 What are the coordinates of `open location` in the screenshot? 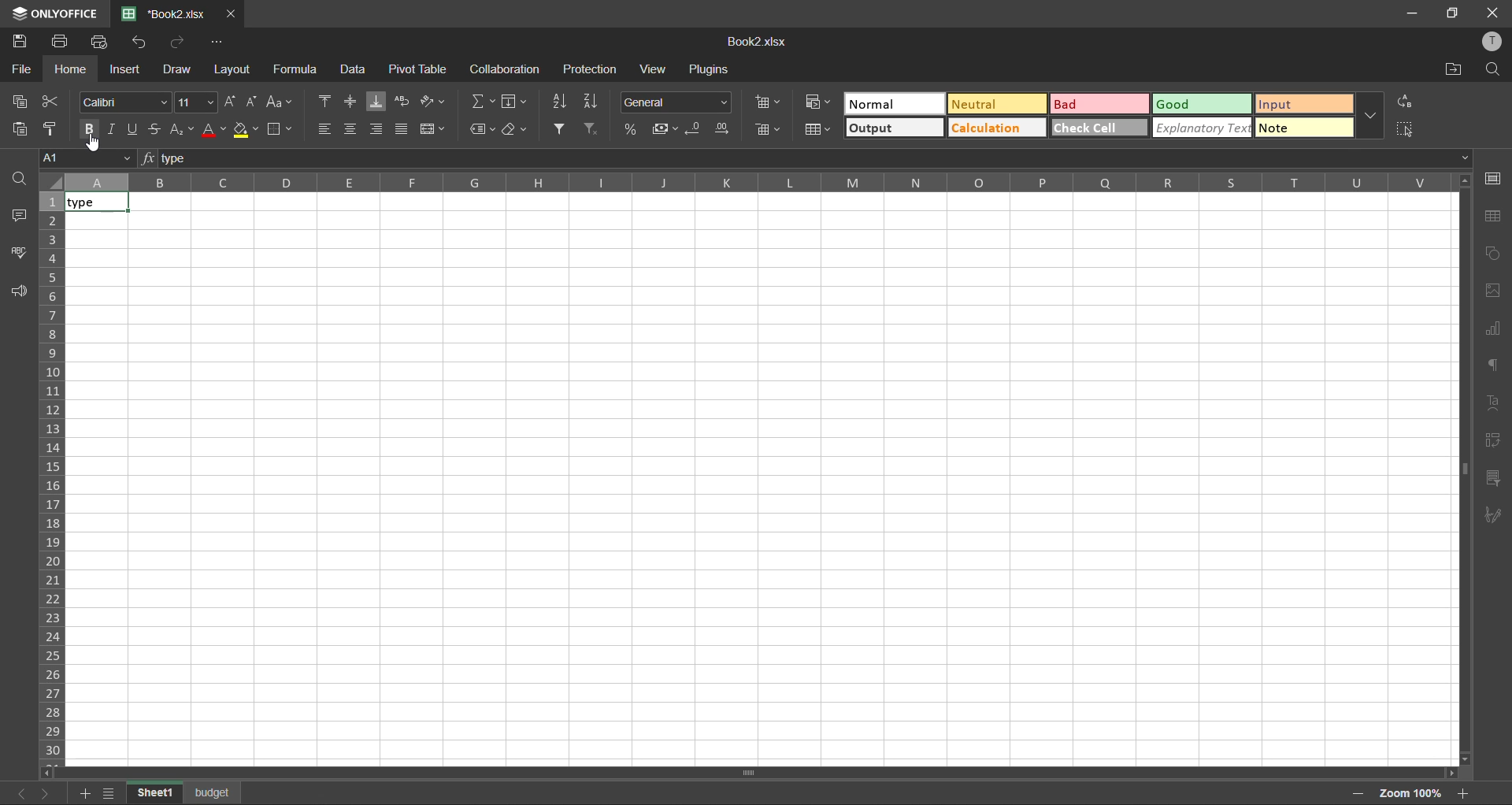 It's located at (1455, 71).